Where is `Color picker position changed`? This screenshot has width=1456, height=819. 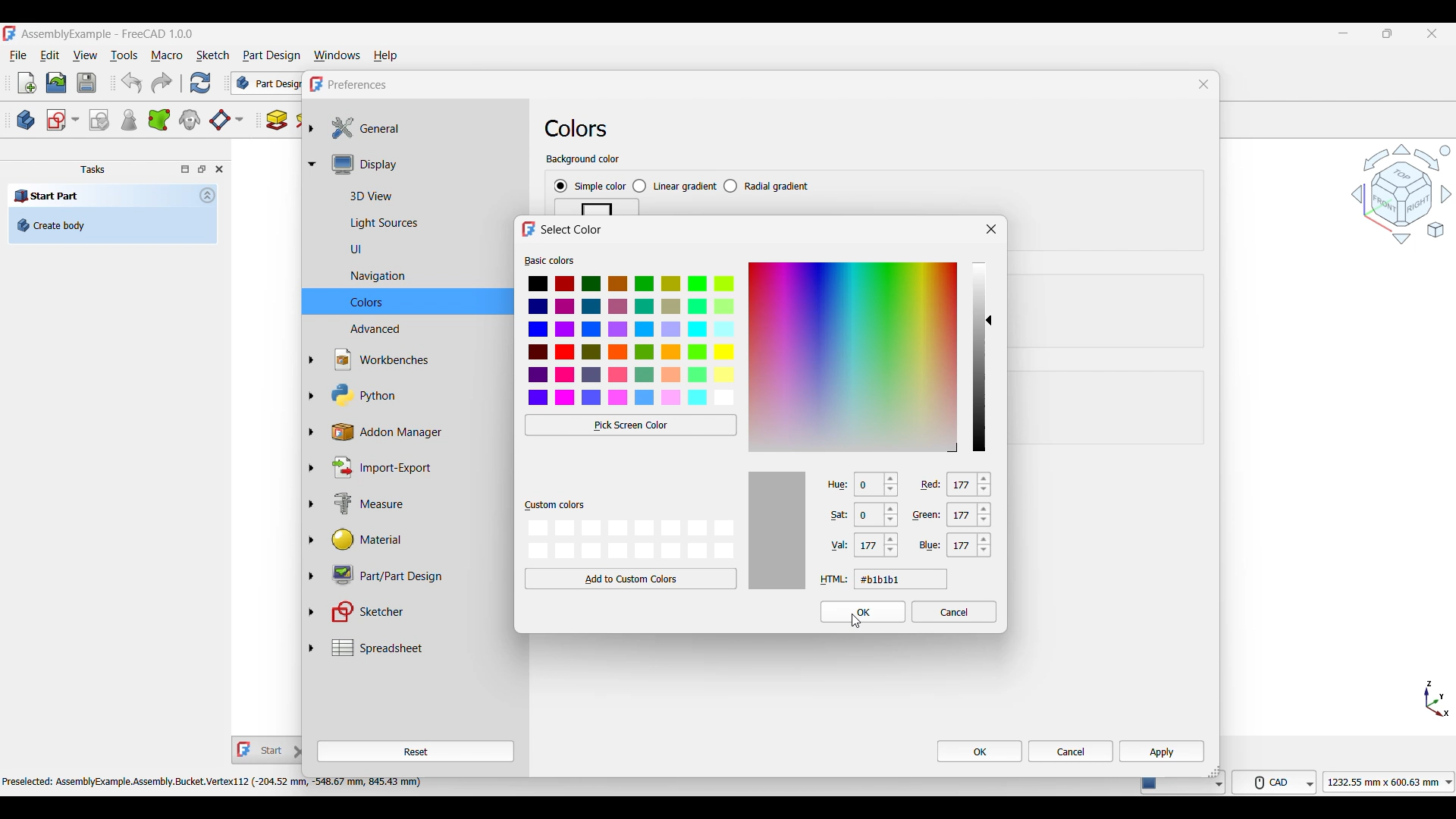 Color picker position changed is located at coordinates (990, 319).